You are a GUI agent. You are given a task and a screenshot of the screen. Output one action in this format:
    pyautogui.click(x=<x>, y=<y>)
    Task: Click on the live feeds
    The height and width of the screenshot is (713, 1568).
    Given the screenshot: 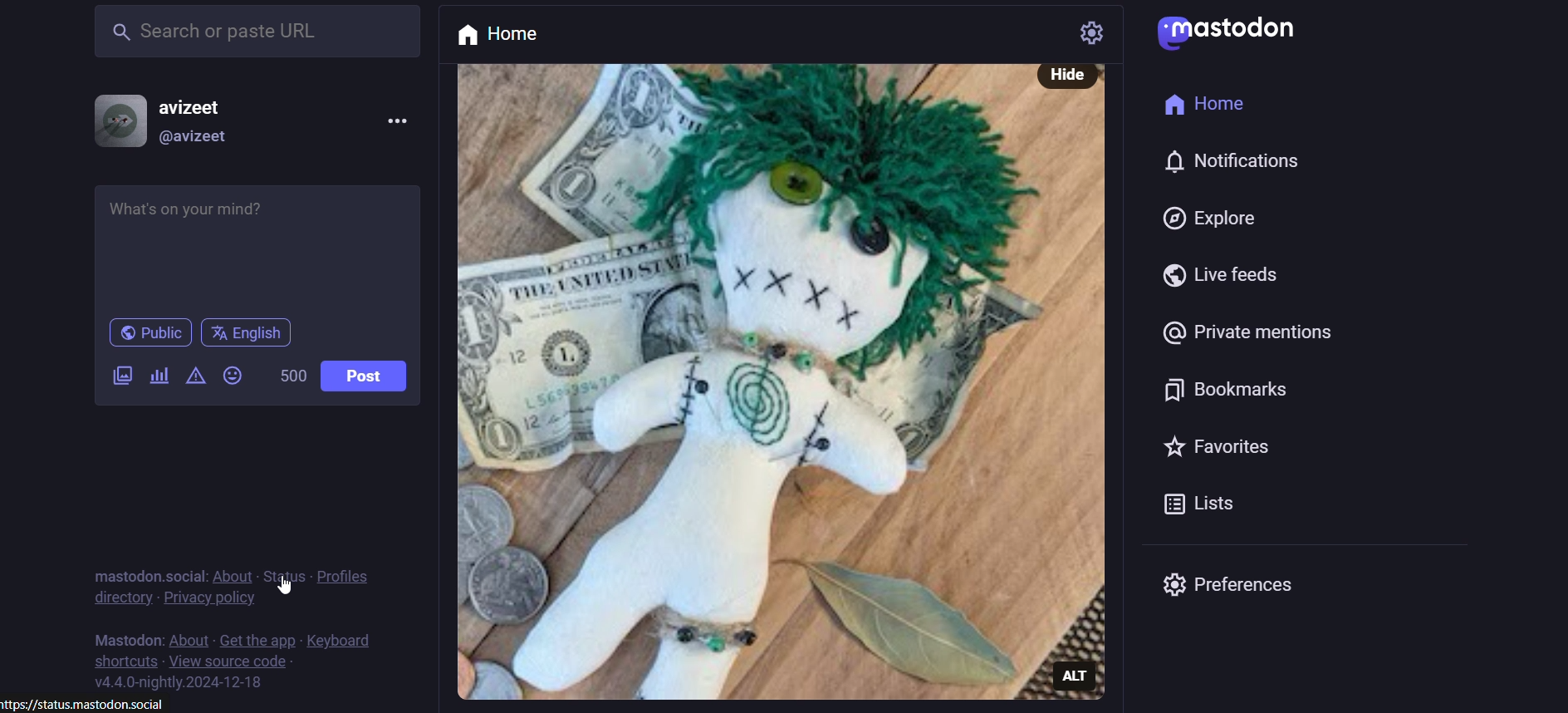 What is the action you would take?
    pyautogui.click(x=1218, y=281)
    